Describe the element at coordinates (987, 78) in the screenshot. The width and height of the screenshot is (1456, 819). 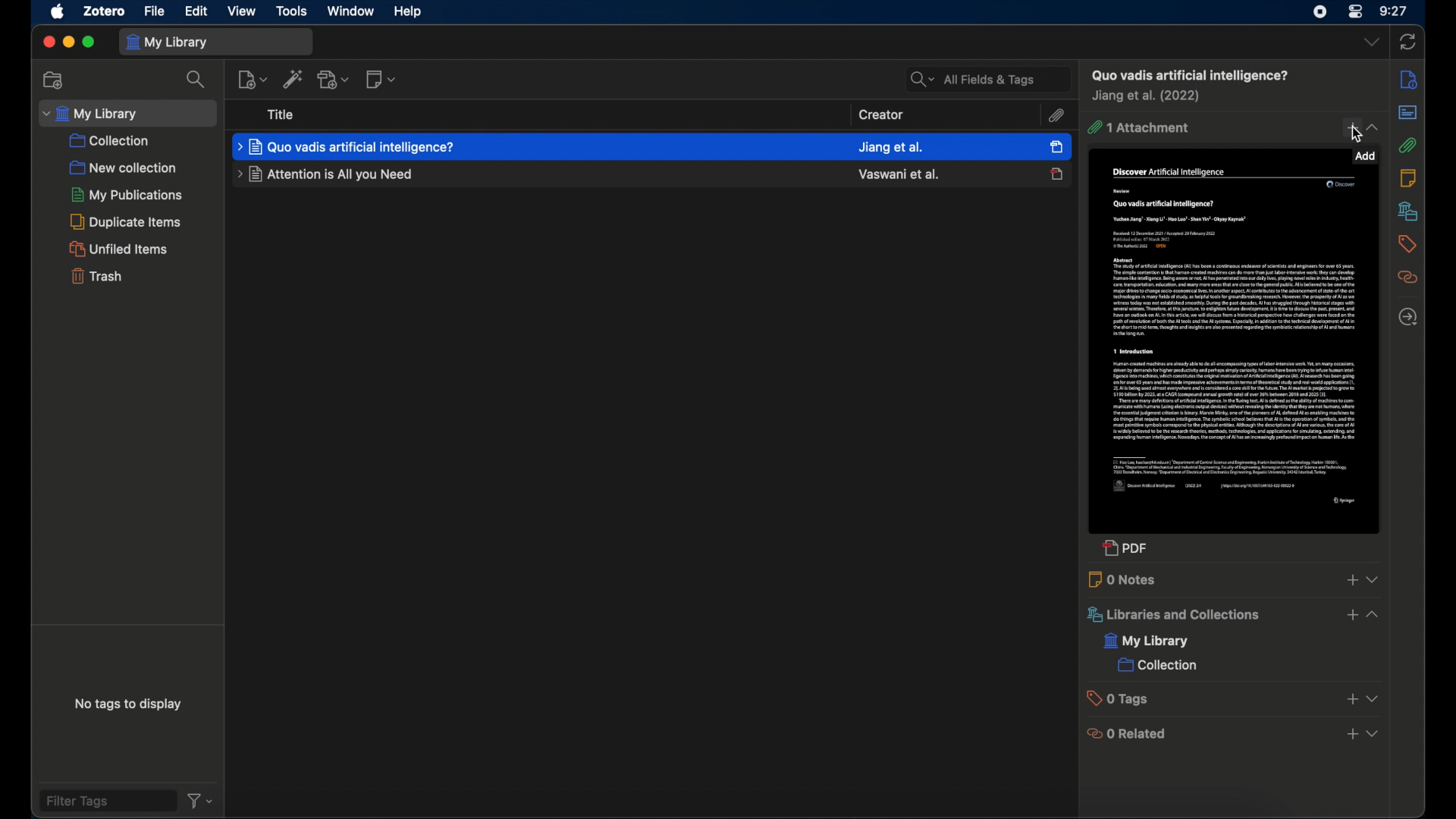
I see `all fields and tags` at that location.